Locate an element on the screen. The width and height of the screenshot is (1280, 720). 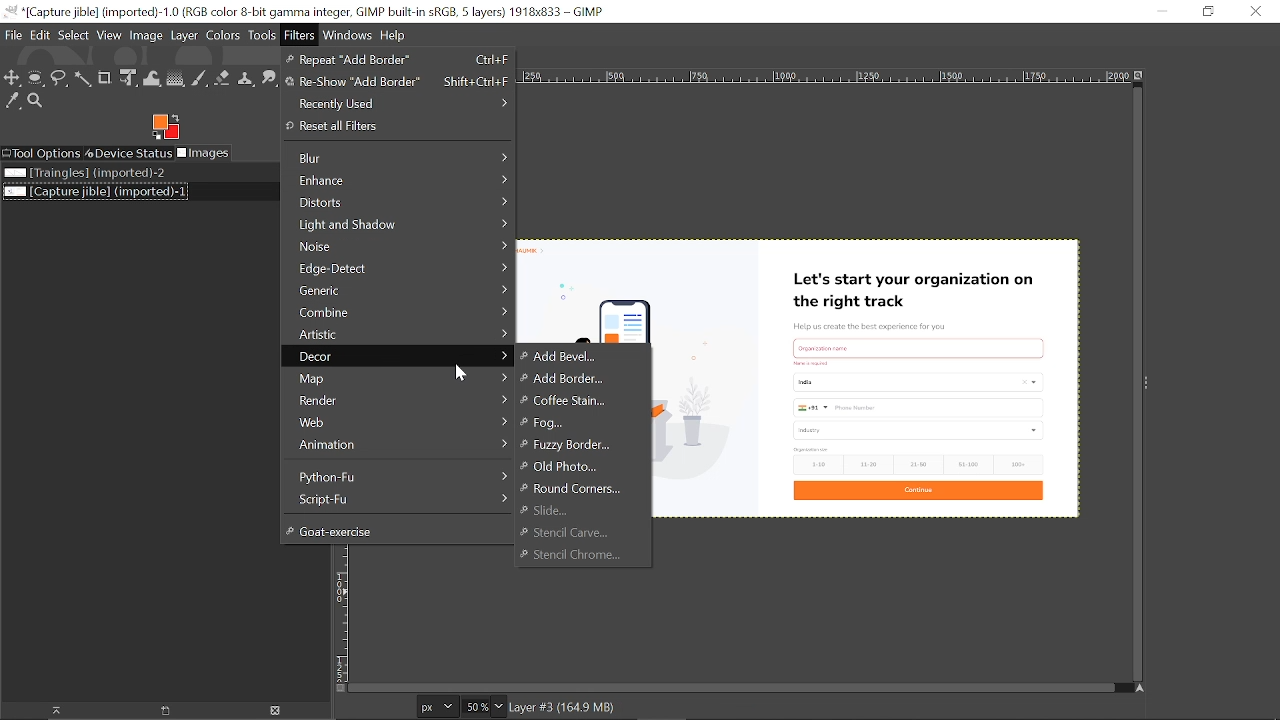
Crop tool is located at coordinates (105, 78).